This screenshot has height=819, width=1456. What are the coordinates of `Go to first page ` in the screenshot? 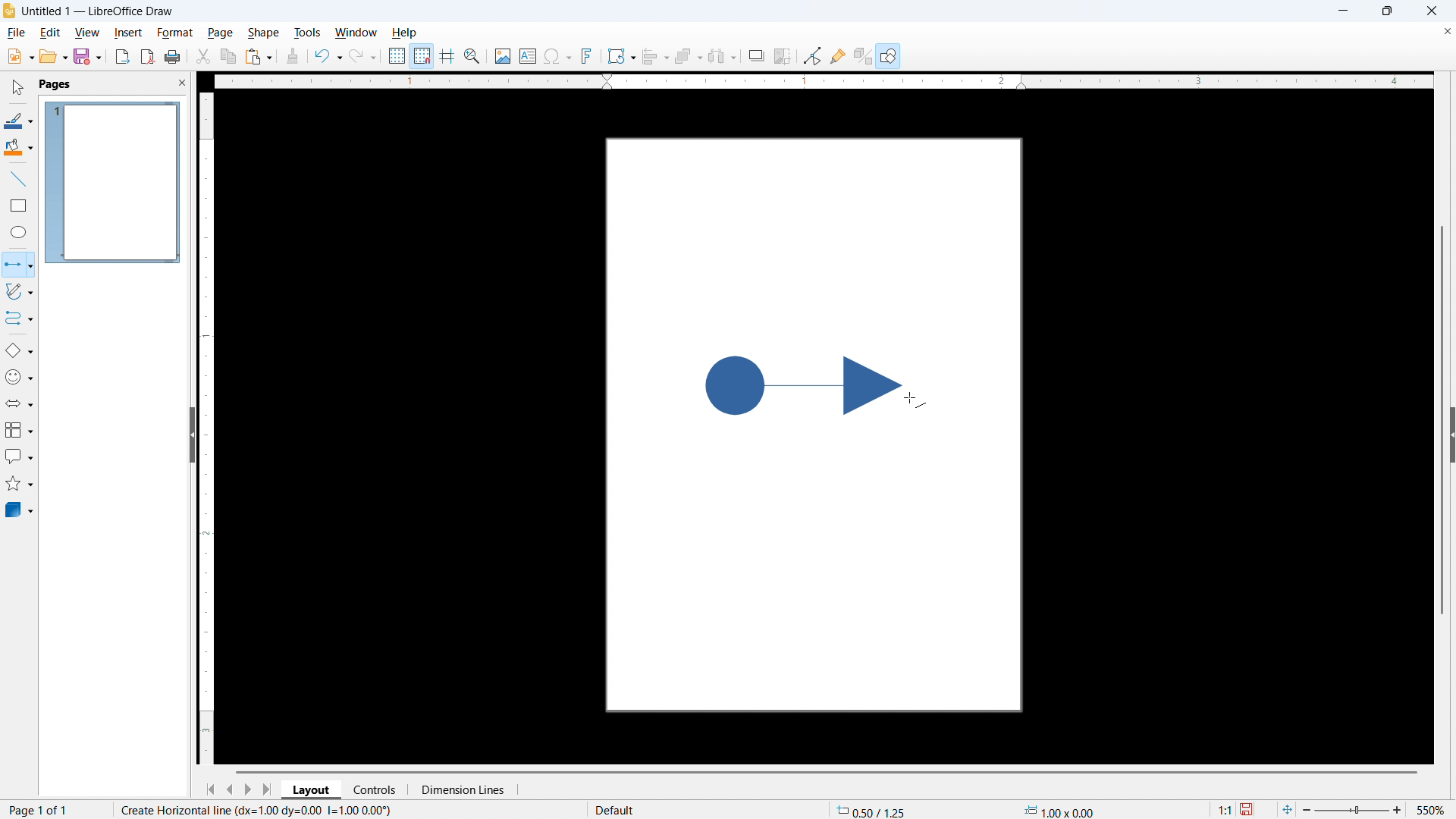 It's located at (209, 790).